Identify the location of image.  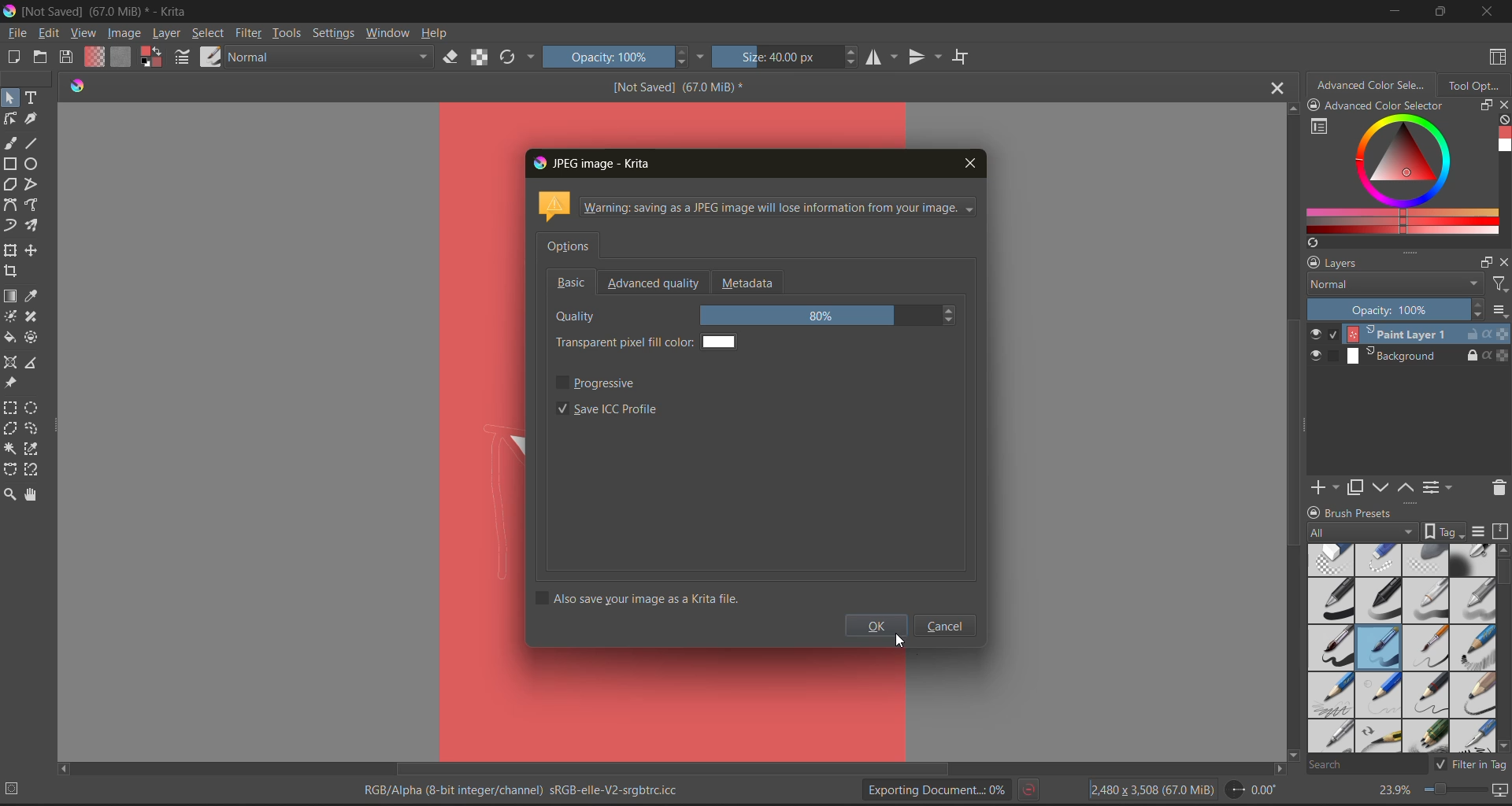
(125, 34).